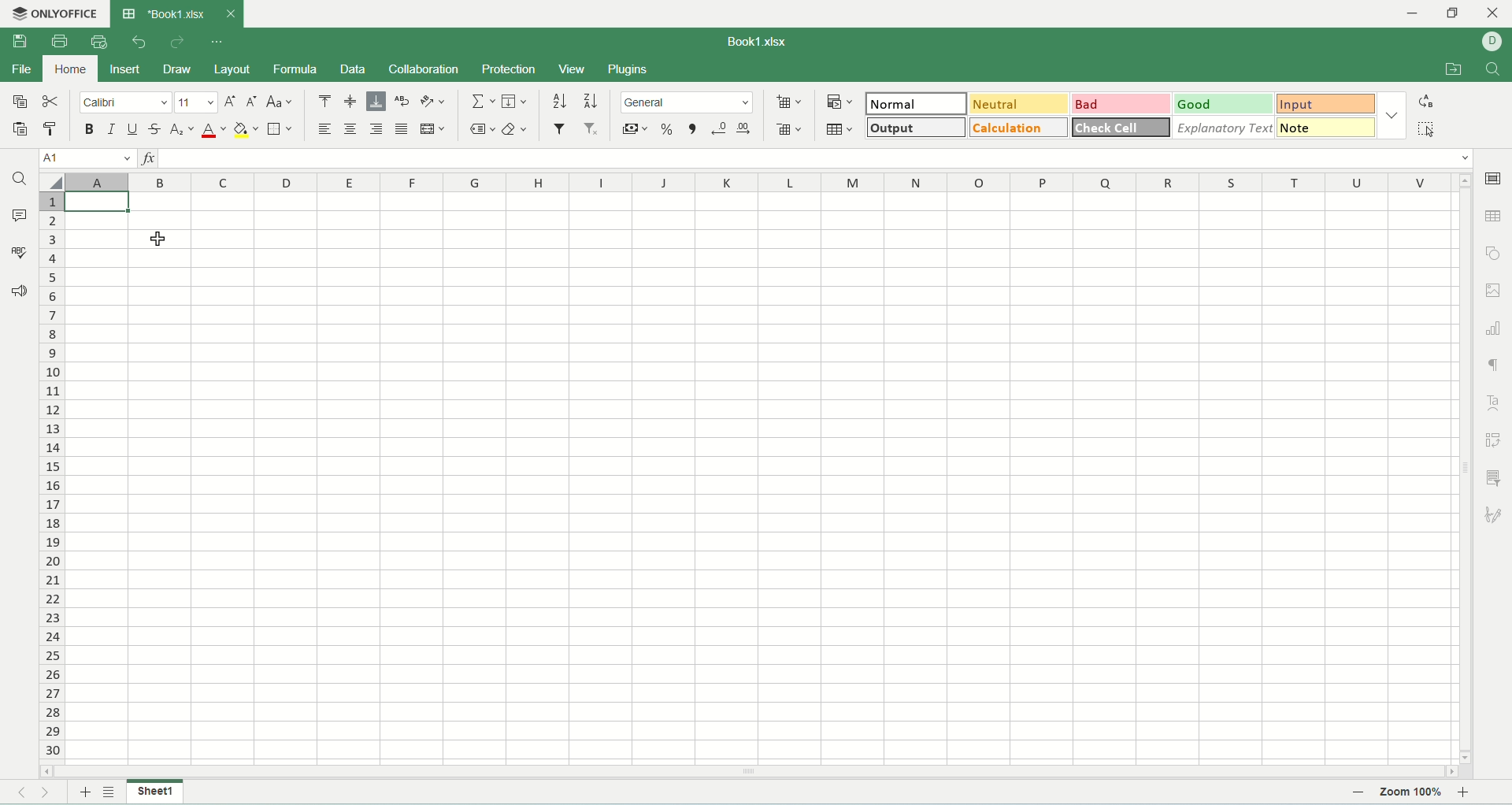 The width and height of the screenshot is (1512, 805). I want to click on pivot table settings, so click(1495, 440).